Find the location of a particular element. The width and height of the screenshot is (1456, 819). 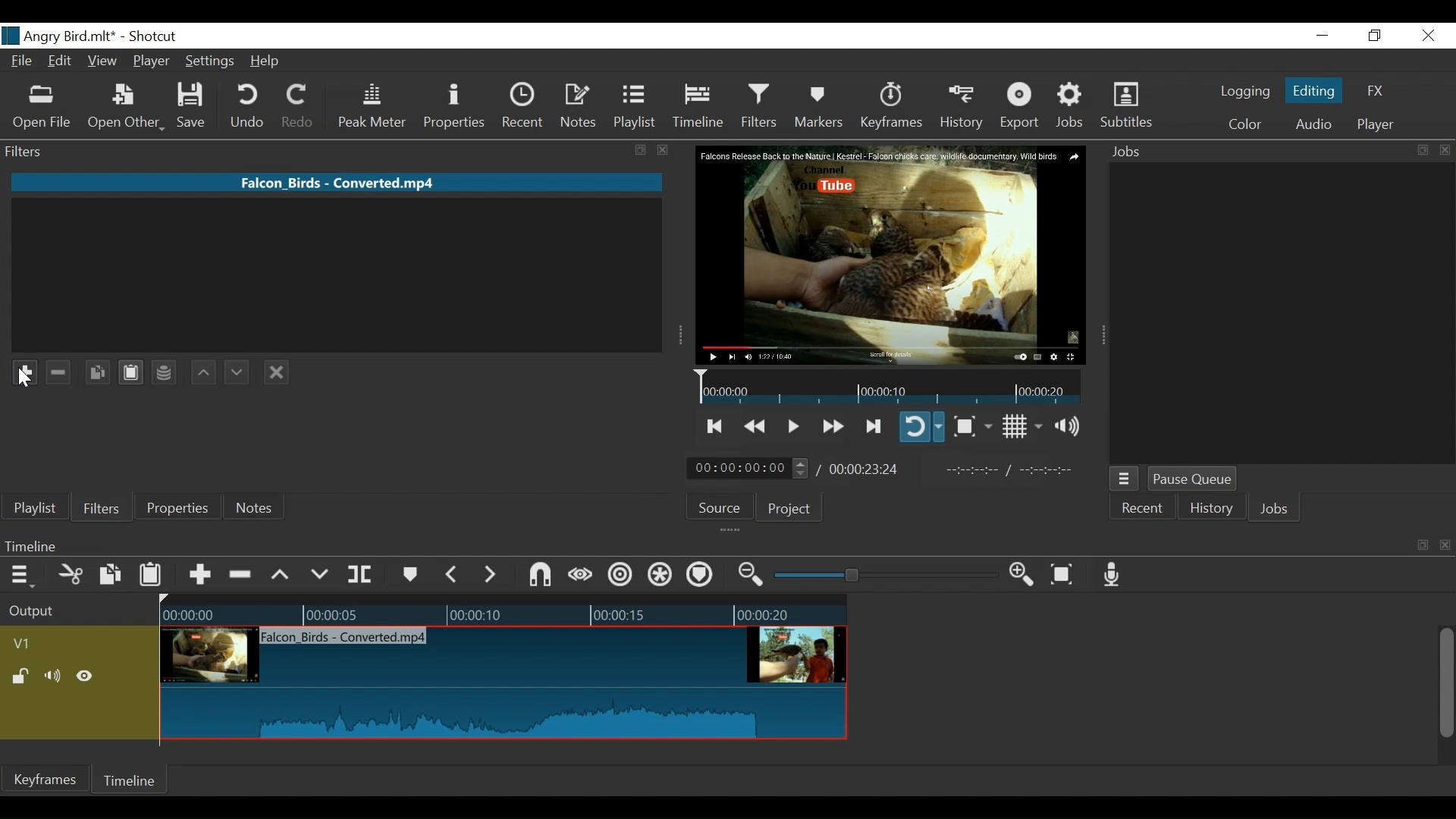

View as files is located at coordinates (278, 472).